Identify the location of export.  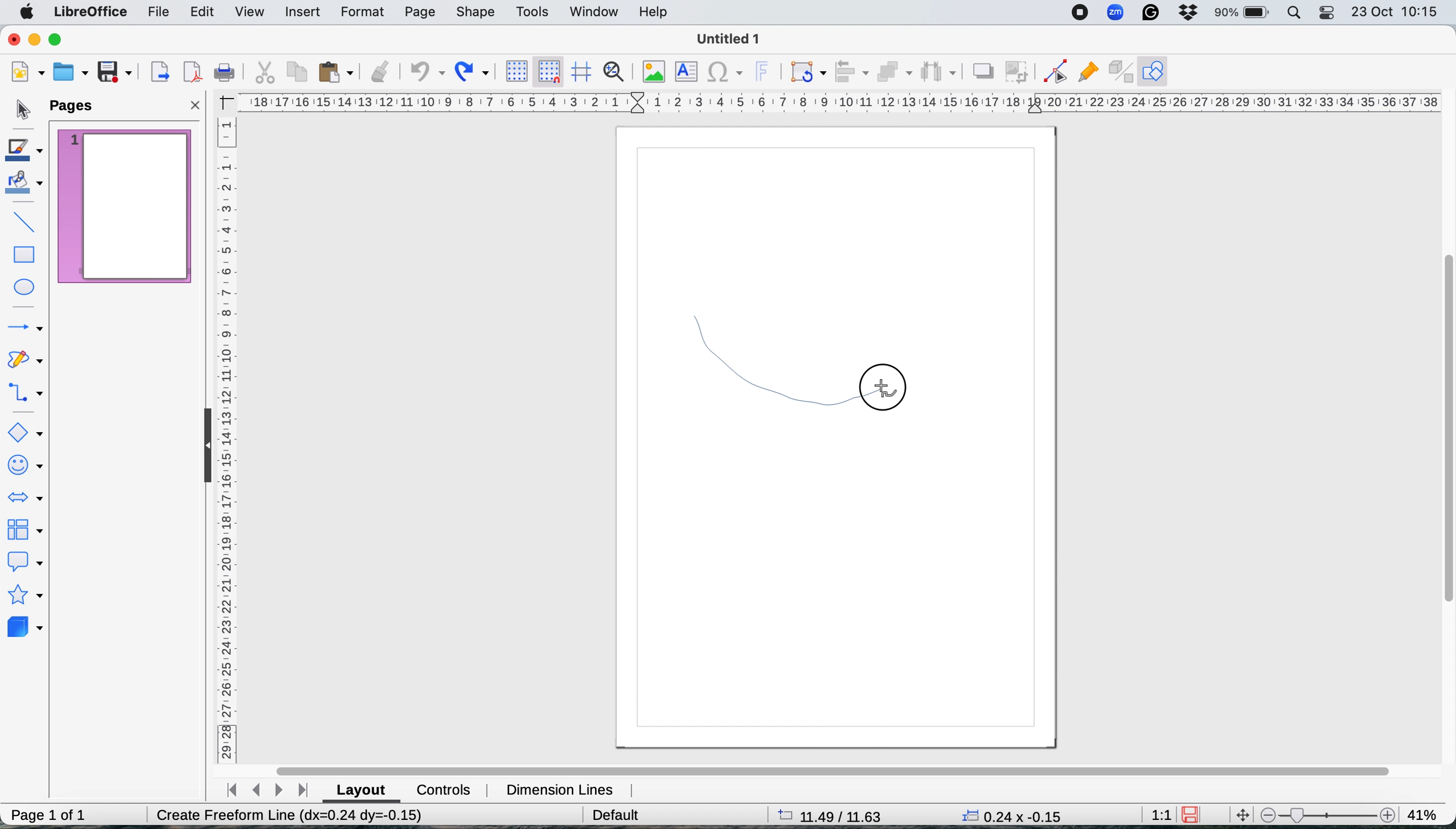
(159, 71).